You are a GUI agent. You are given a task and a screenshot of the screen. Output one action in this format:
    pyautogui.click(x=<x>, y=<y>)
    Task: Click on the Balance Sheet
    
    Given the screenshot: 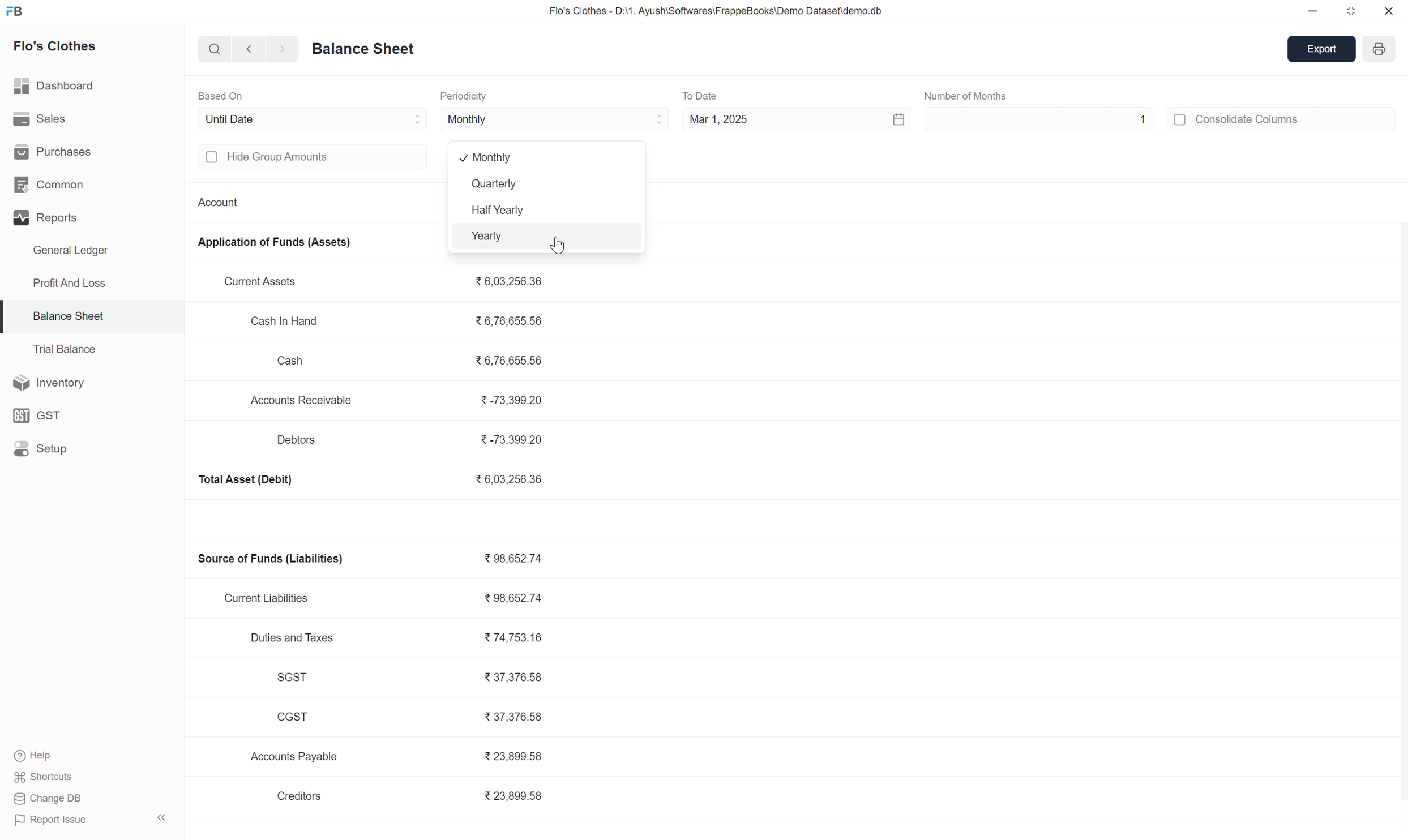 What is the action you would take?
    pyautogui.click(x=363, y=47)
    